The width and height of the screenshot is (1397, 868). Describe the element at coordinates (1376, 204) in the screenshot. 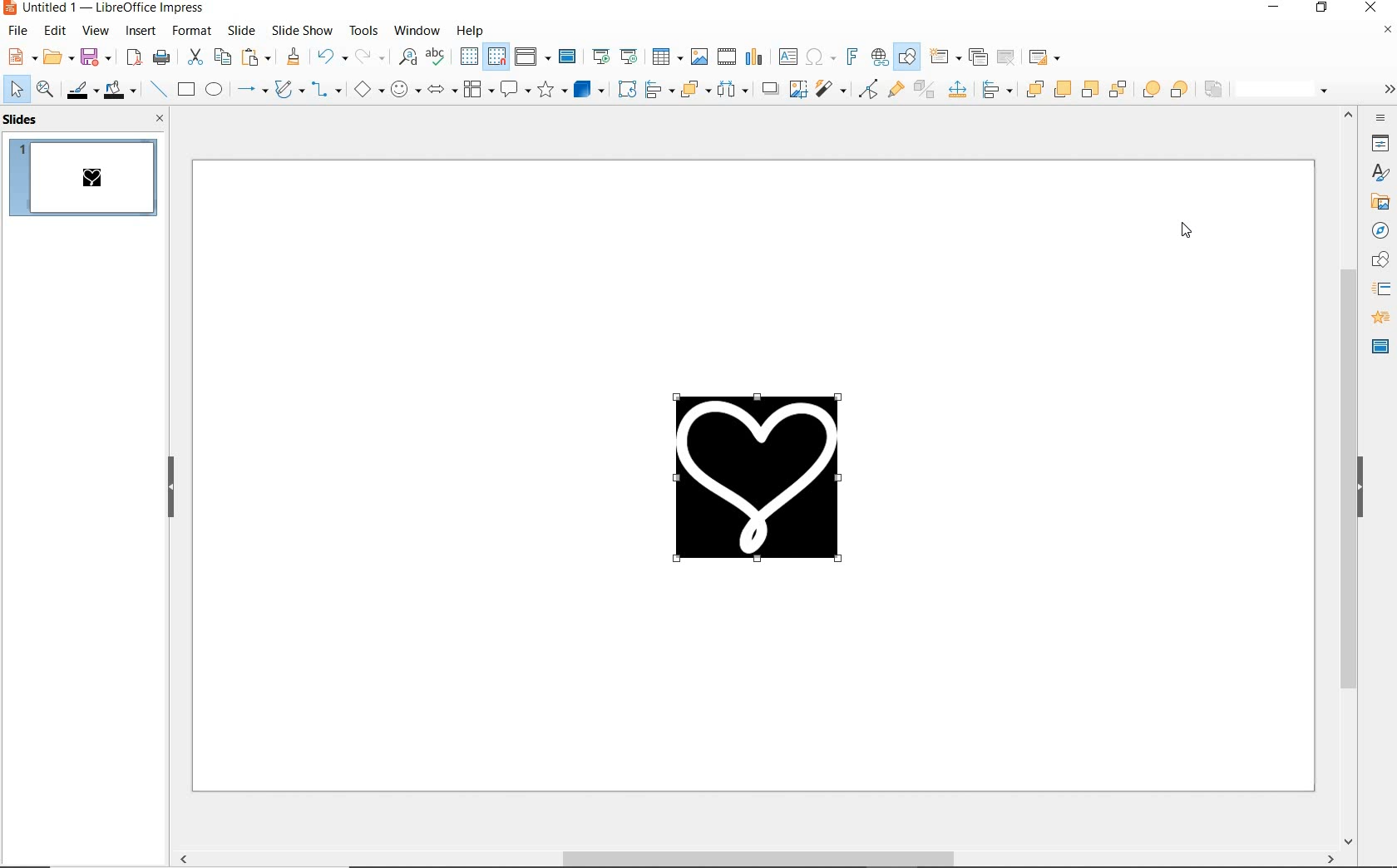

I see `interaction` at that location.